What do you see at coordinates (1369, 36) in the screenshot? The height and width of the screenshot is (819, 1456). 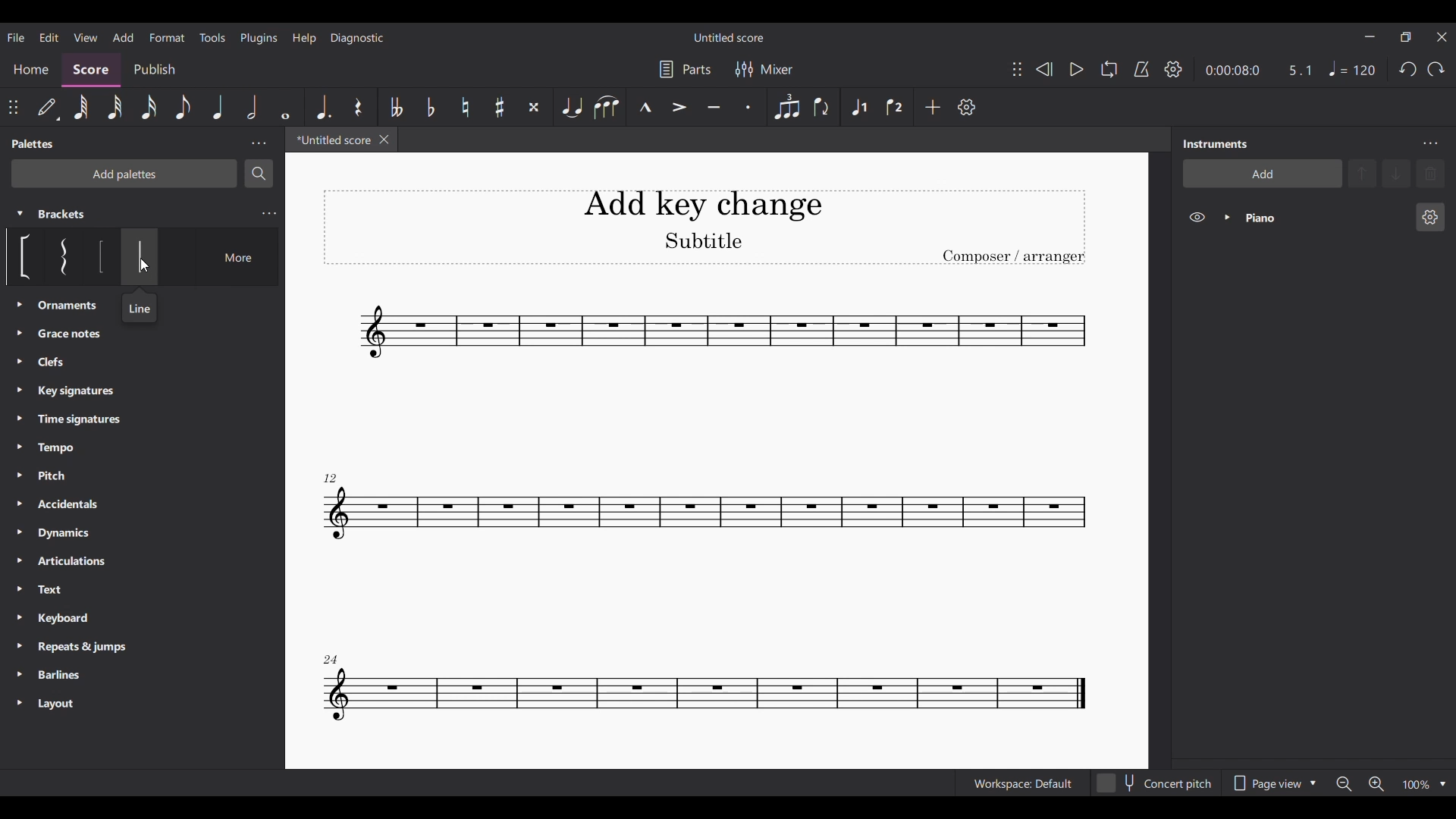 I see `Minimize` at bounding box center [1369, 36].